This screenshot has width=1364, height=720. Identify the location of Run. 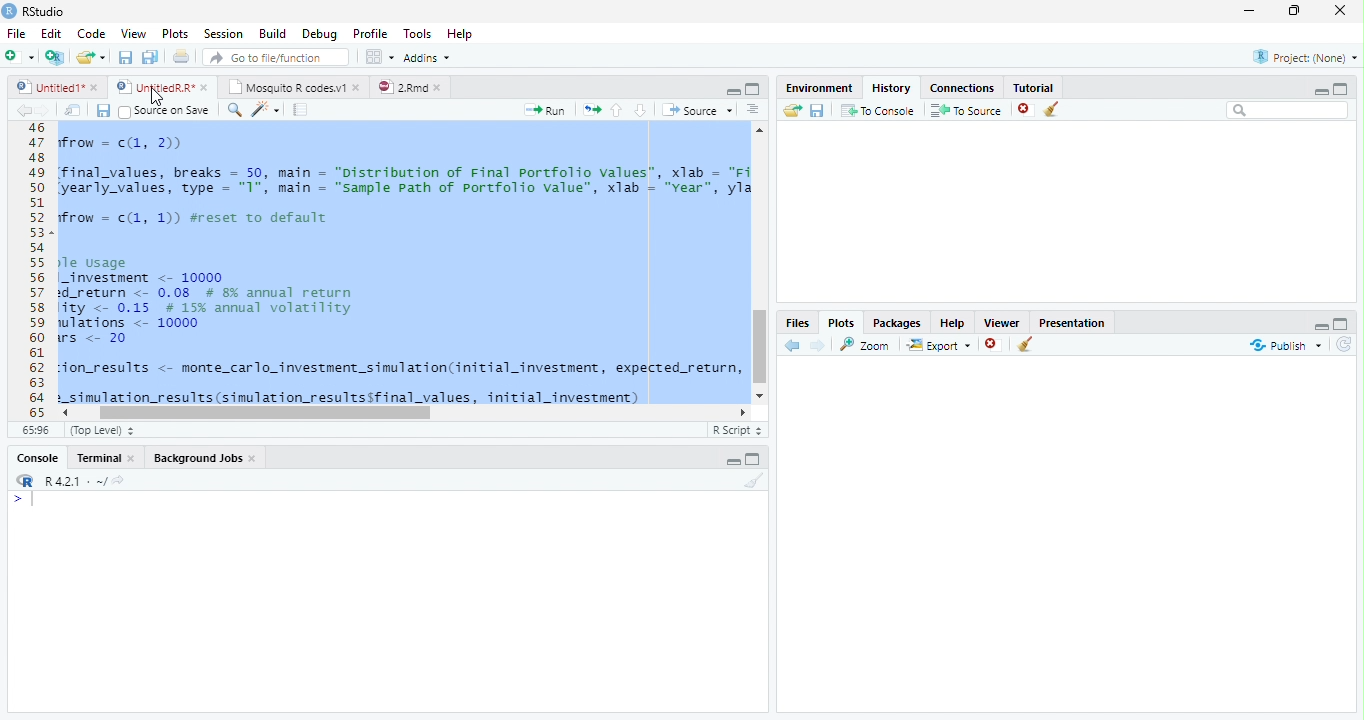
(546, 110).